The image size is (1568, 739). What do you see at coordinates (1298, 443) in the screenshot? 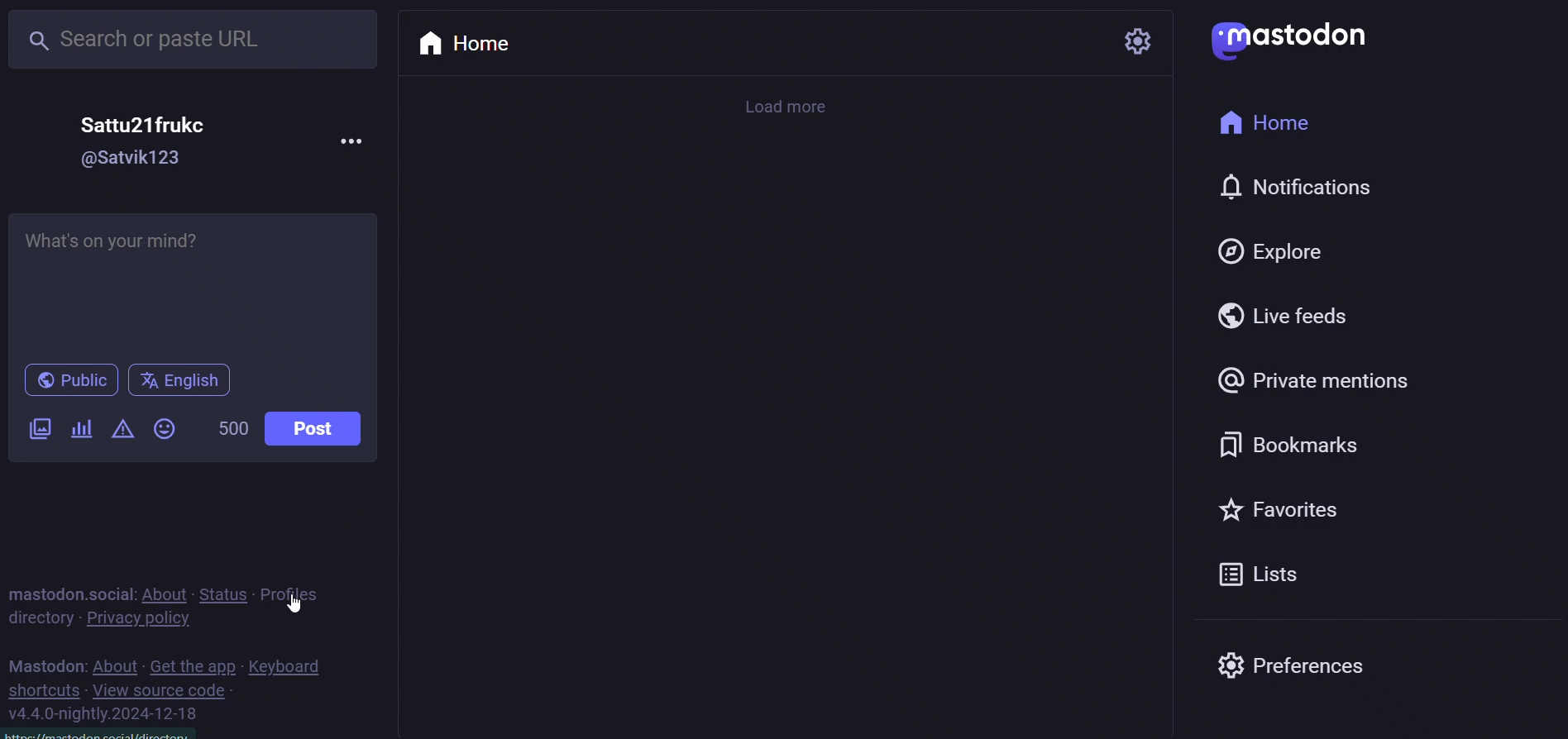
I see `bookmark` at bounding box center [1298, 443].